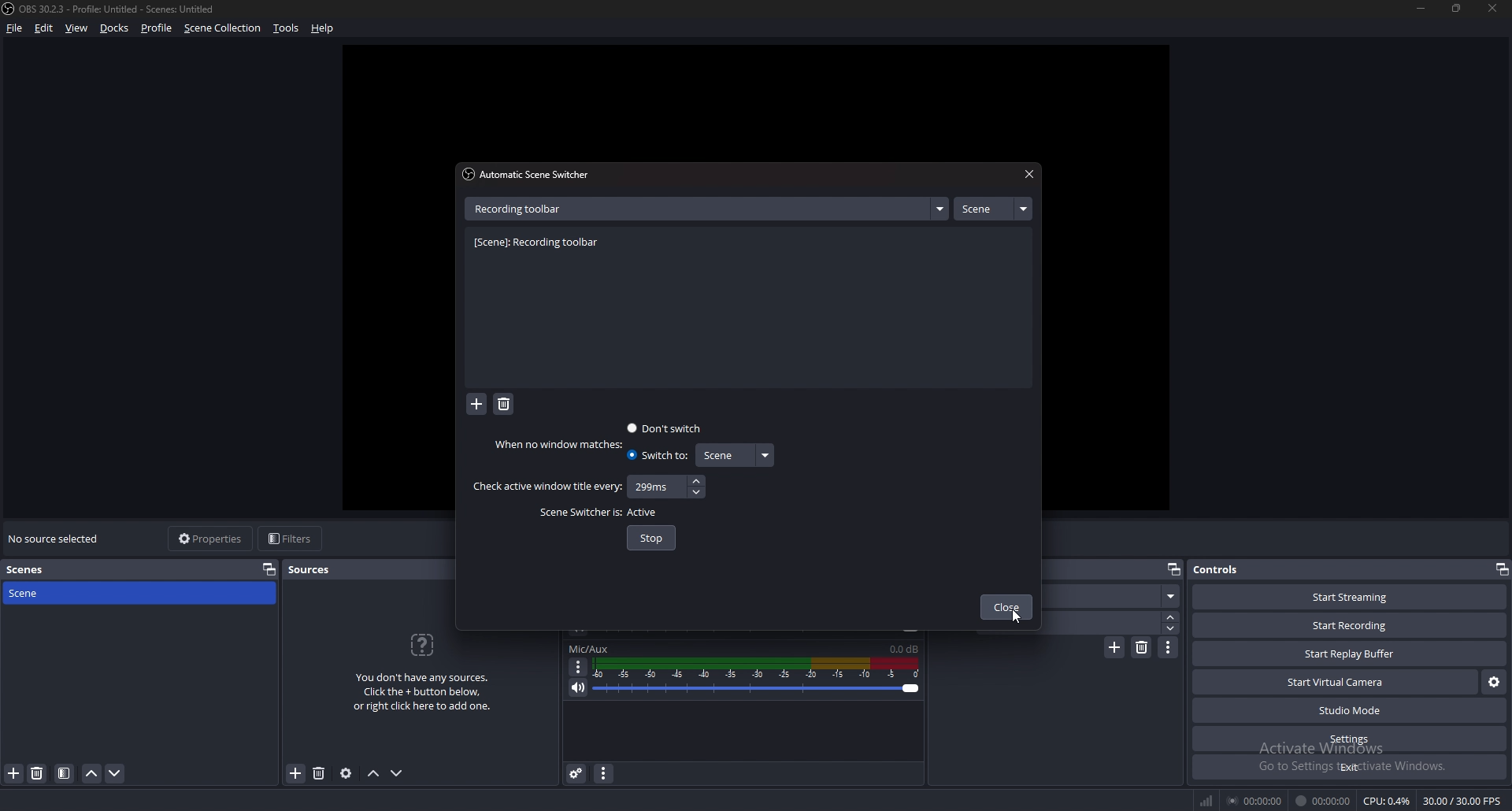 This screenshot has height=811, width=1512. I want to click on resize, so click(1458, 8).